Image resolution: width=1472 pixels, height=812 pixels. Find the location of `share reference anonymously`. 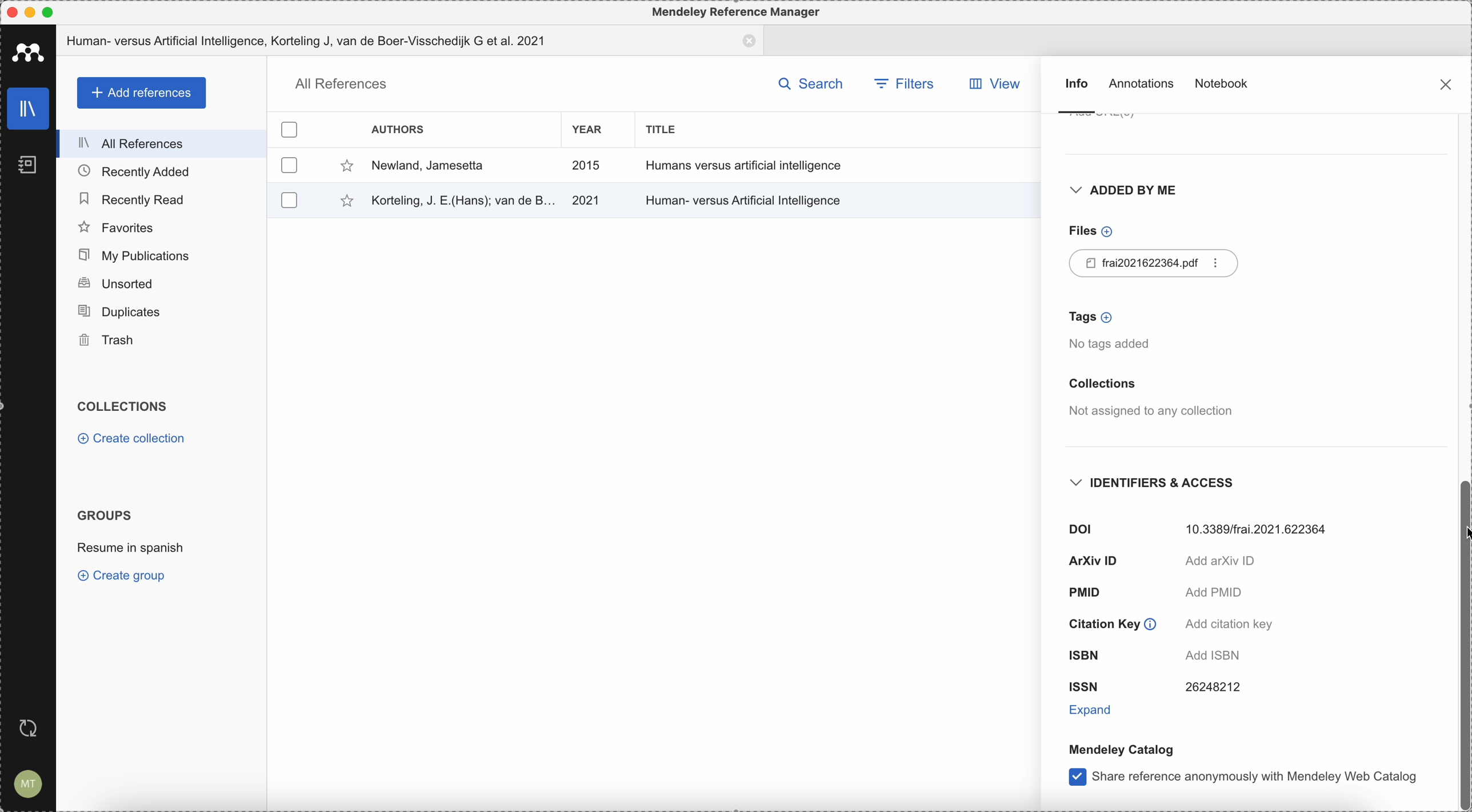

share reference anonymously is located at coordinates (1243, 779).